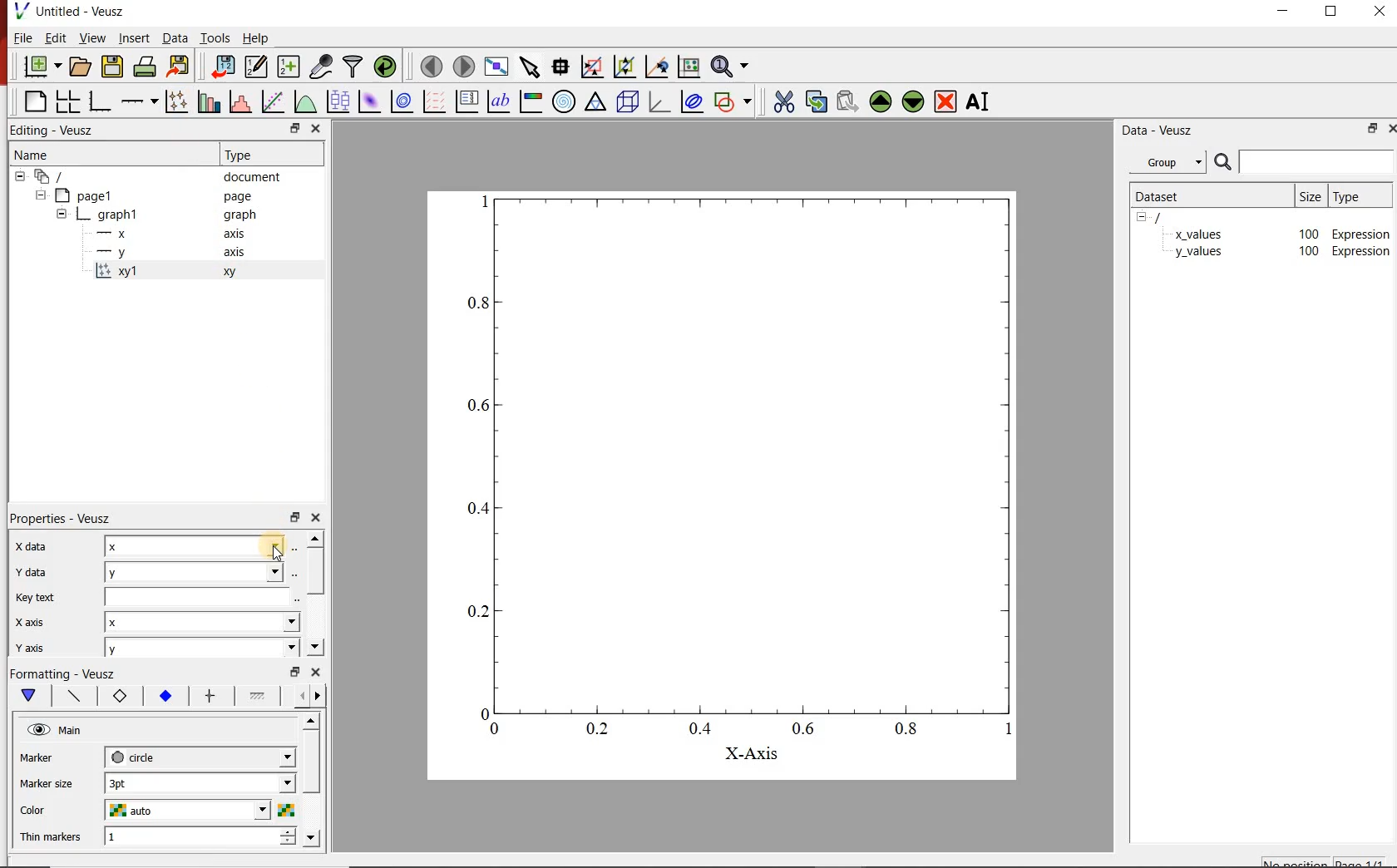  What do you see at coordinates (37, 757) in the screenshot?
I see `Marker` at bounding box center [37, 757].